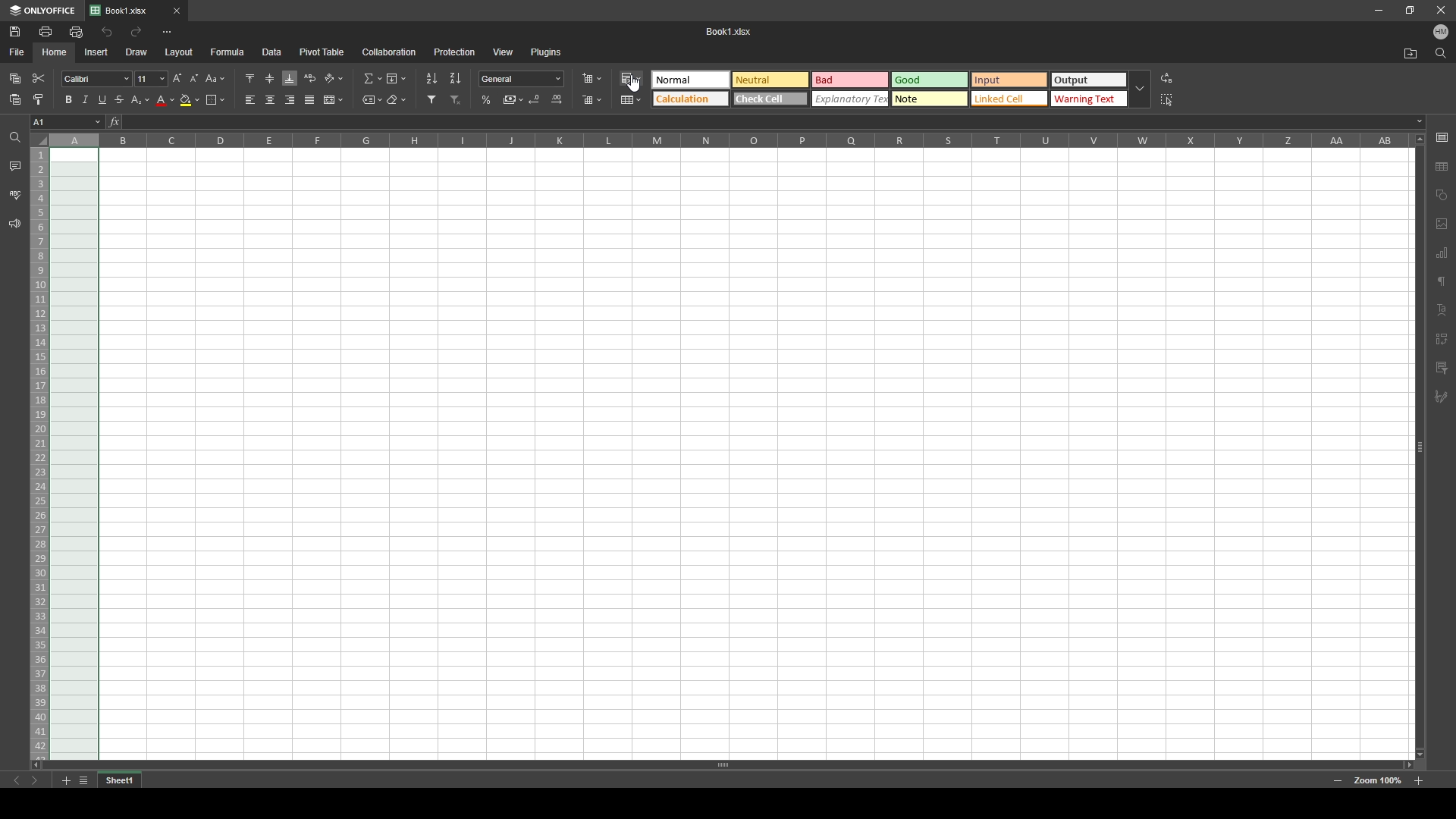 This screenshot has width=1456, height=819. Describe the element at coordinates (772, 122) in the screenshot. I see `input box` at that location.